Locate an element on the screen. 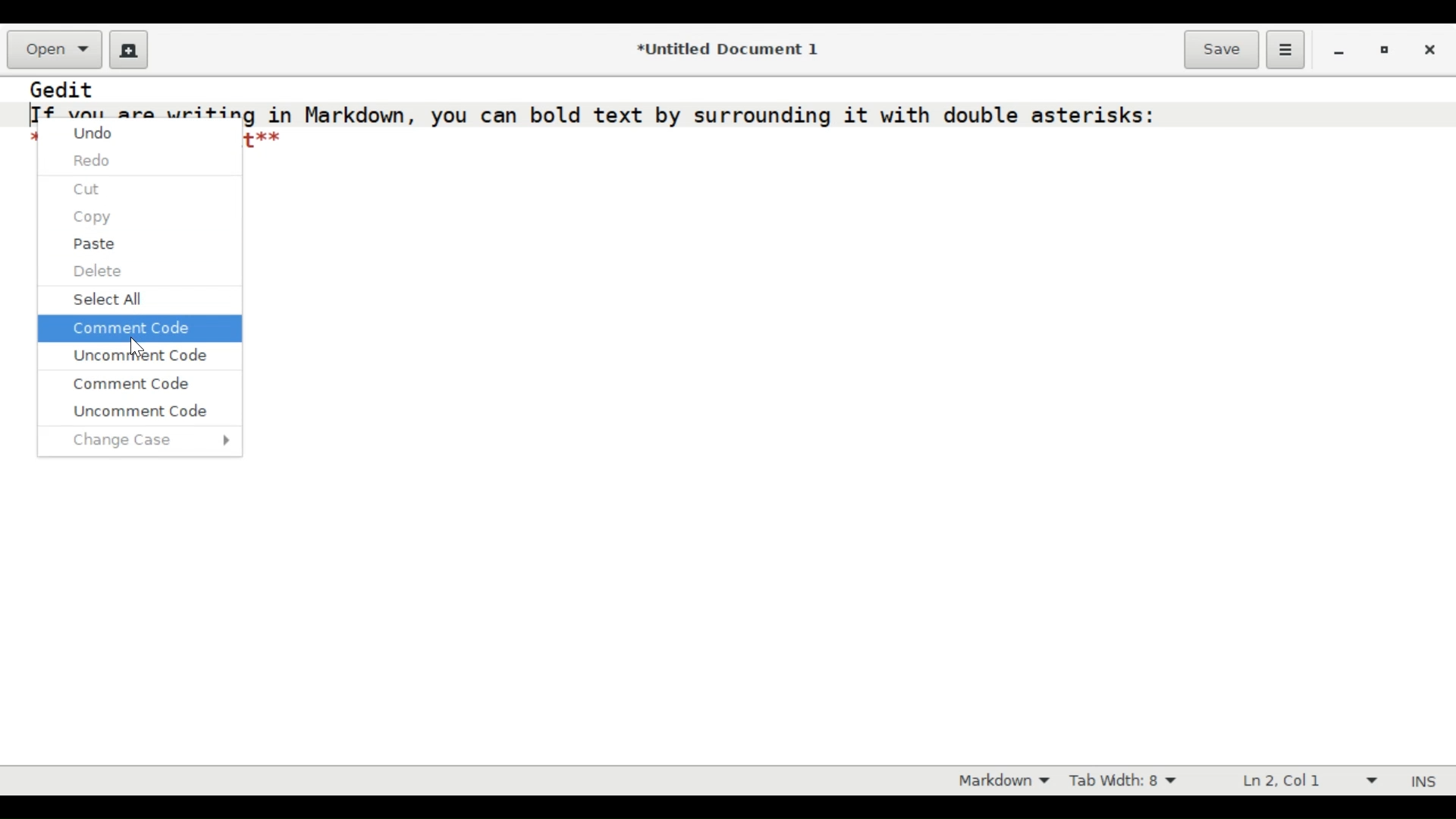  Create a new File is located at coordinates (126, 49).